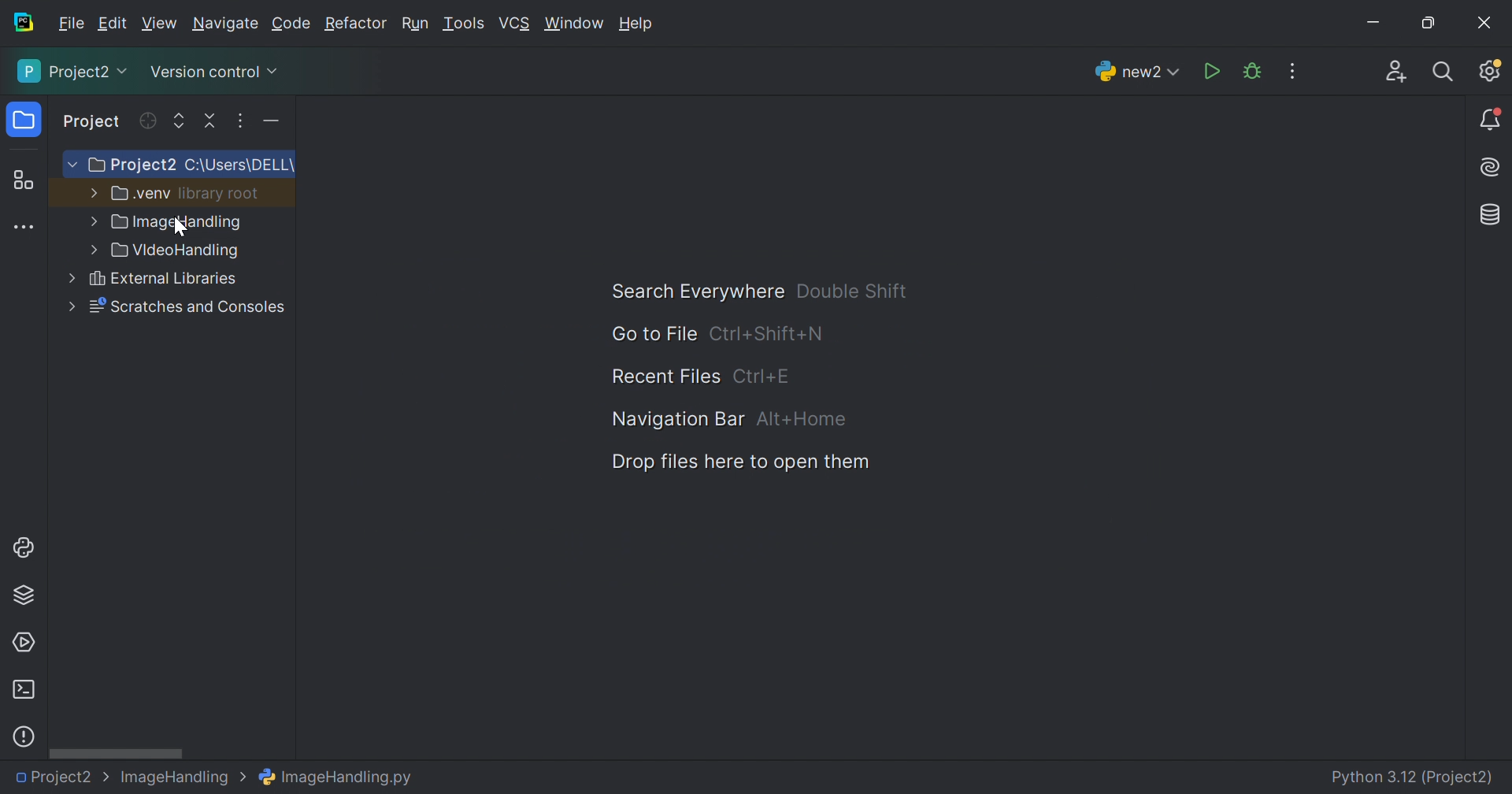 This screenshot has height=794, width=1512. I want to click on Debug, so click(1252, 72).